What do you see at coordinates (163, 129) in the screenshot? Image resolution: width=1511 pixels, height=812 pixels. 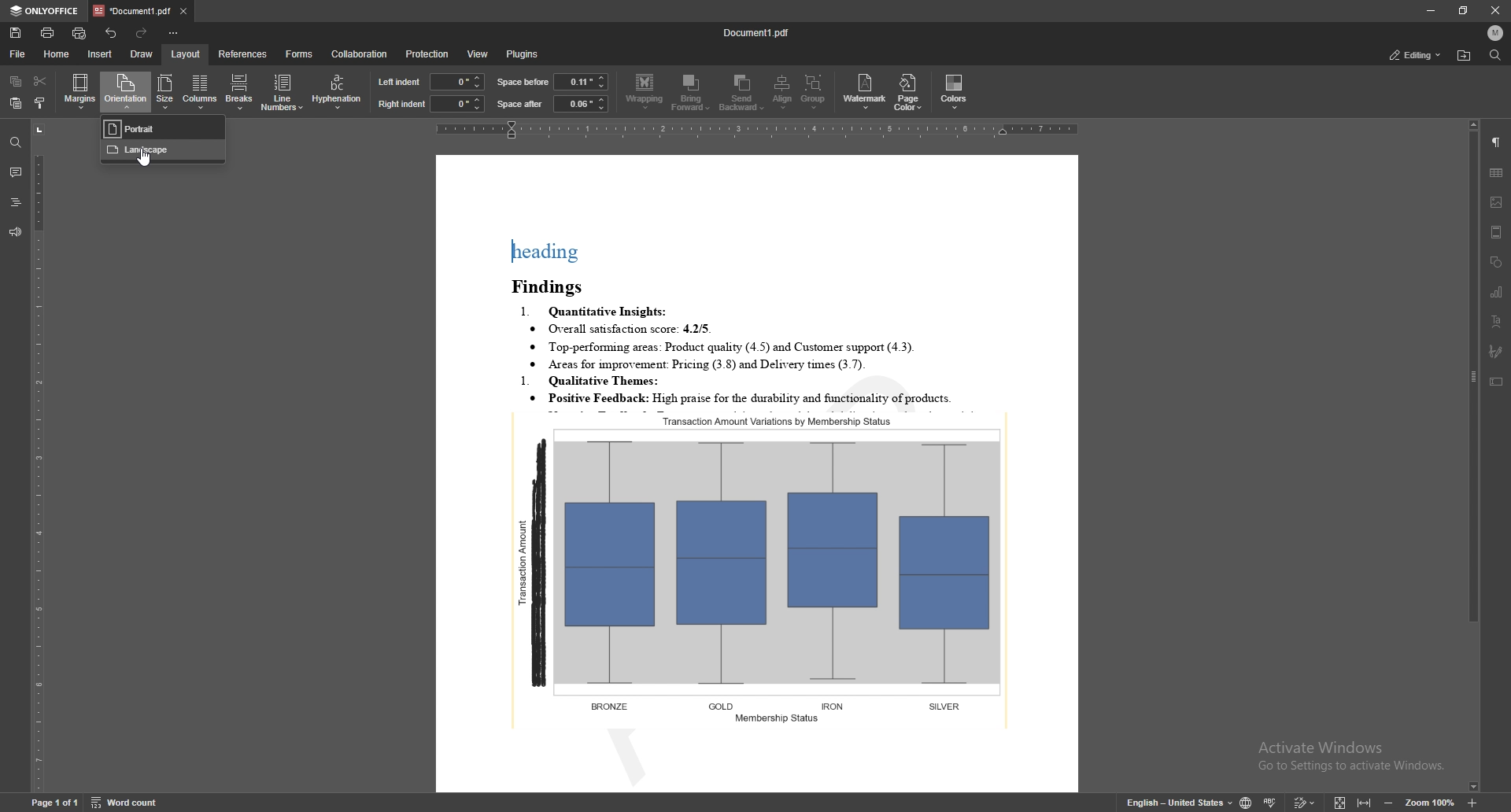 I see `portrait` at bounding box center [163, 129].